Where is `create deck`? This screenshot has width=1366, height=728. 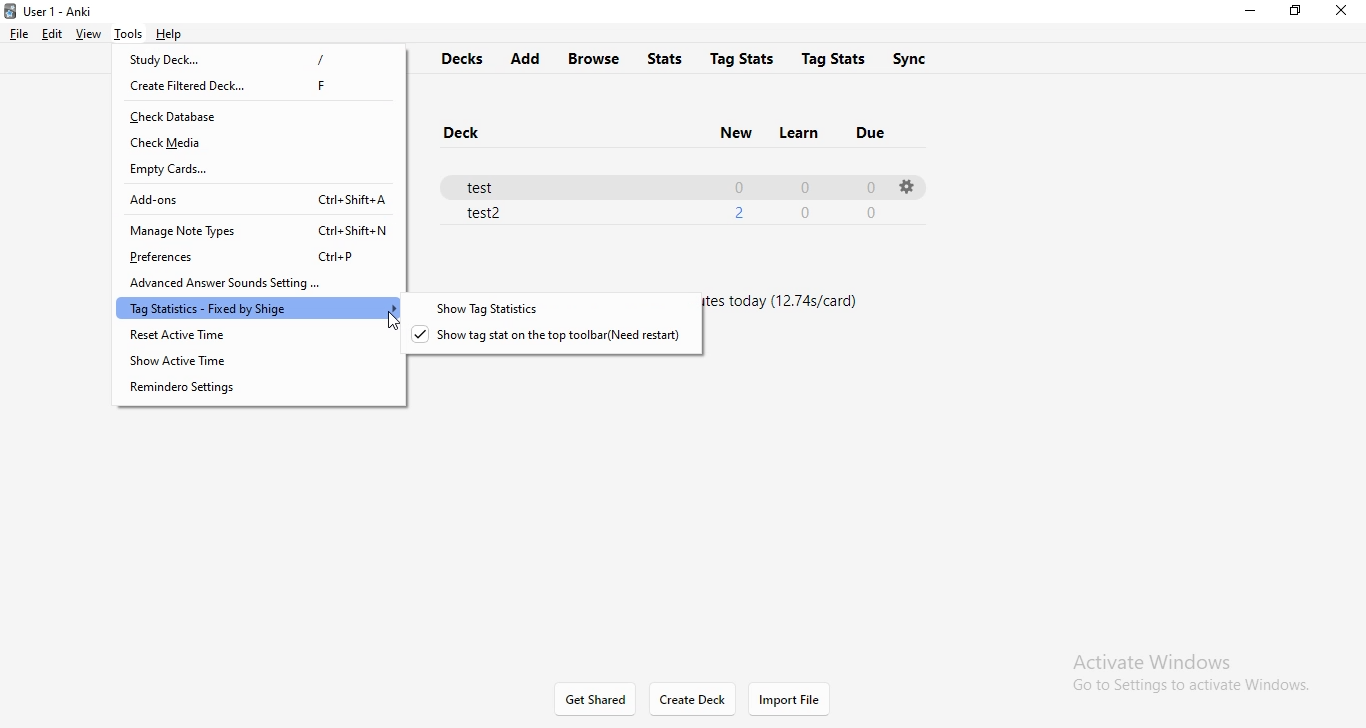
create deck is located at coordinates (691, 702).